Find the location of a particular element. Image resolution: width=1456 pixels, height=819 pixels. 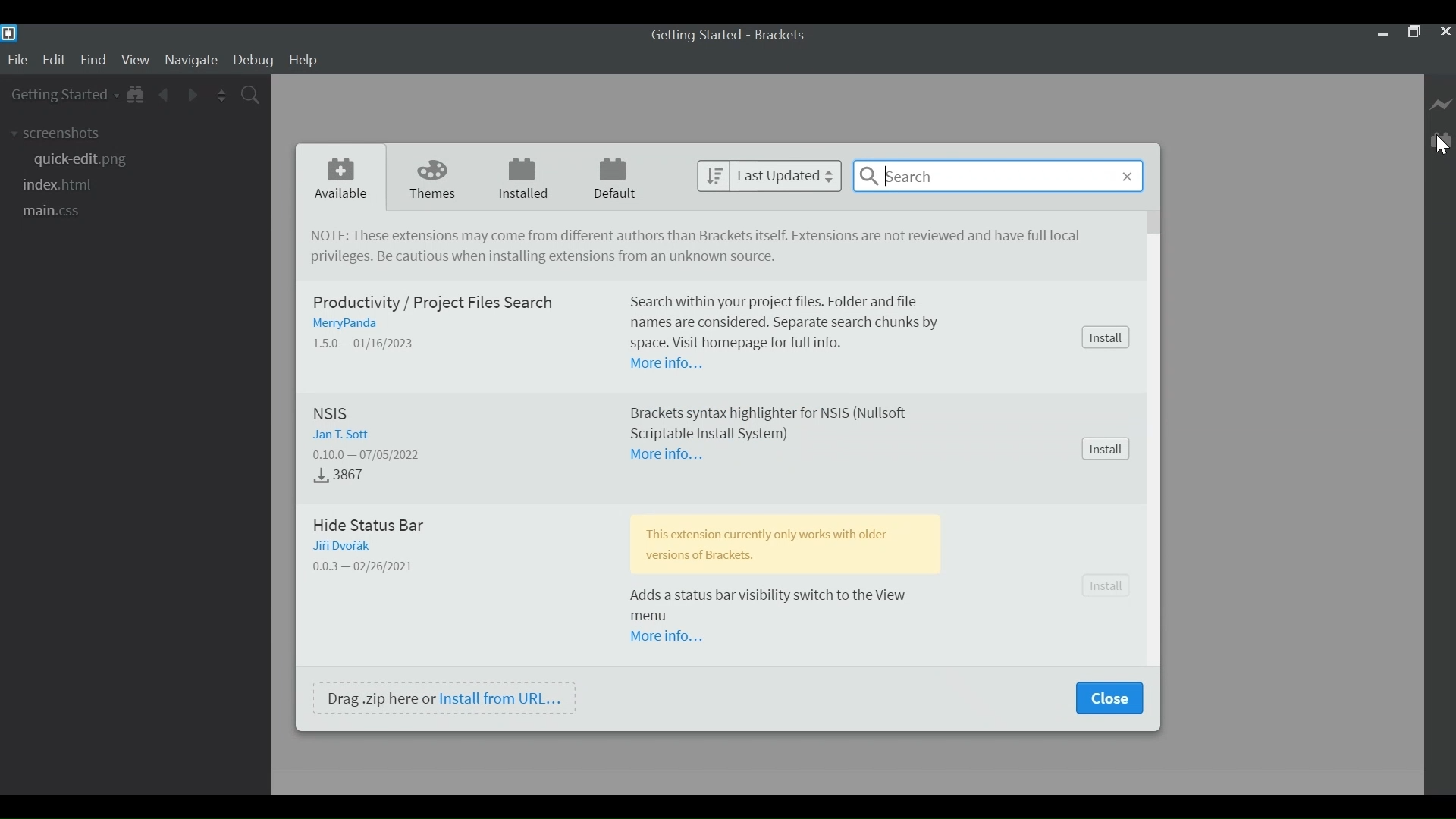

png file is located at coordinates (83, 160).